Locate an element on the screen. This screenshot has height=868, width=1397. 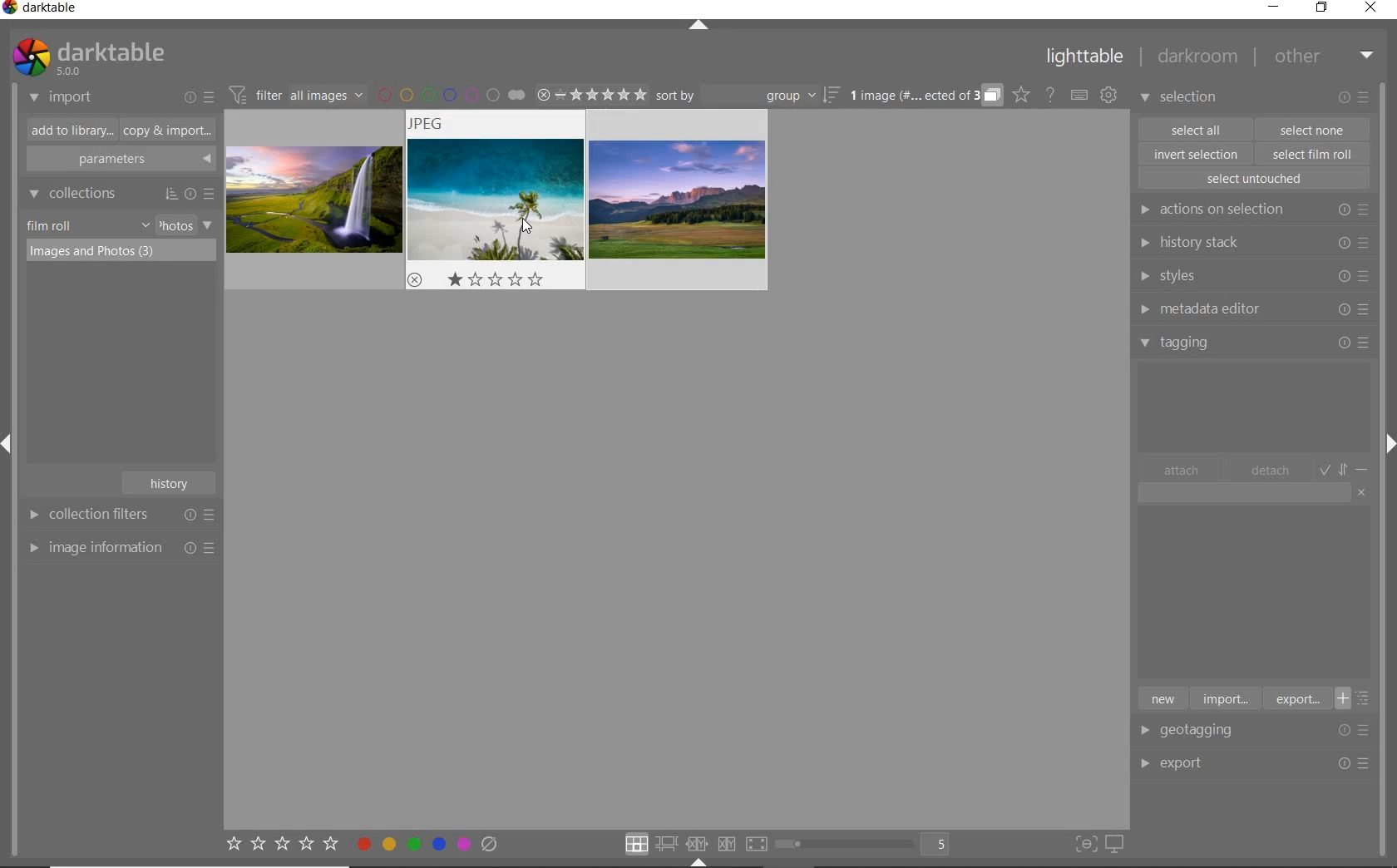
expand/collapse is located at coordinates (698, 27).